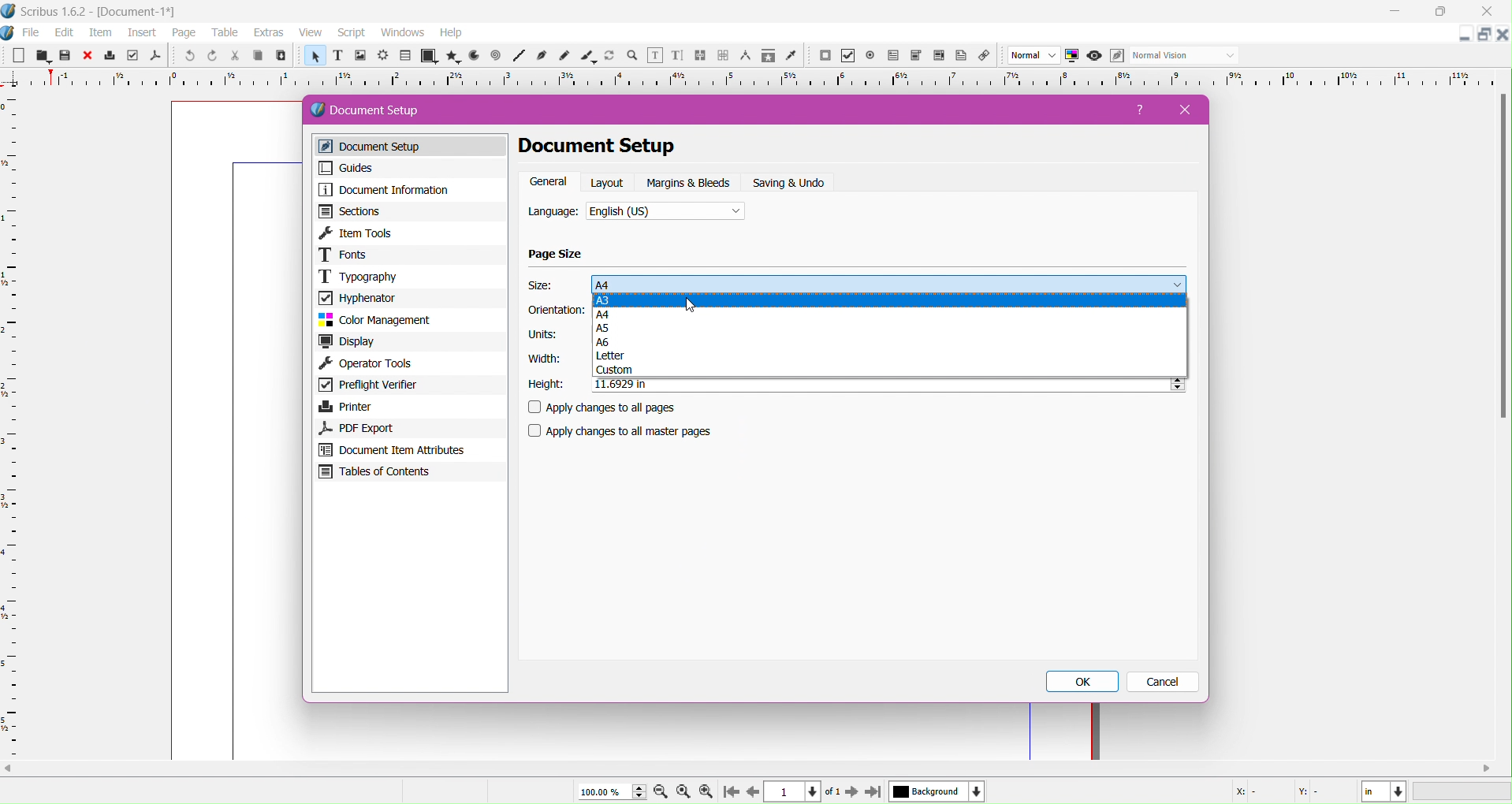 This screenshot has width=1512, height=804. What do you see at coordinates (988, 56) in the screenshot?
I see `link annotations` at bounding box center [988, 56].